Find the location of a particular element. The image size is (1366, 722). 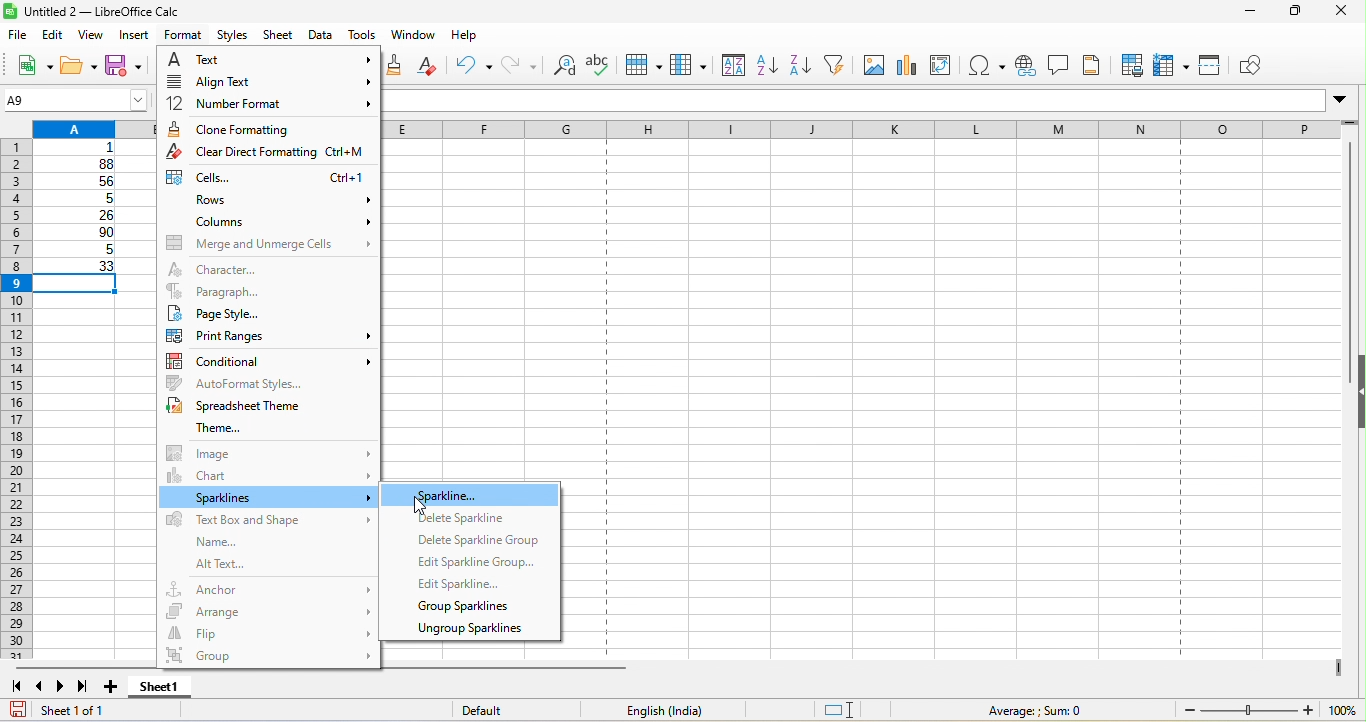

show draw function is located at coordinates (1255, 67).